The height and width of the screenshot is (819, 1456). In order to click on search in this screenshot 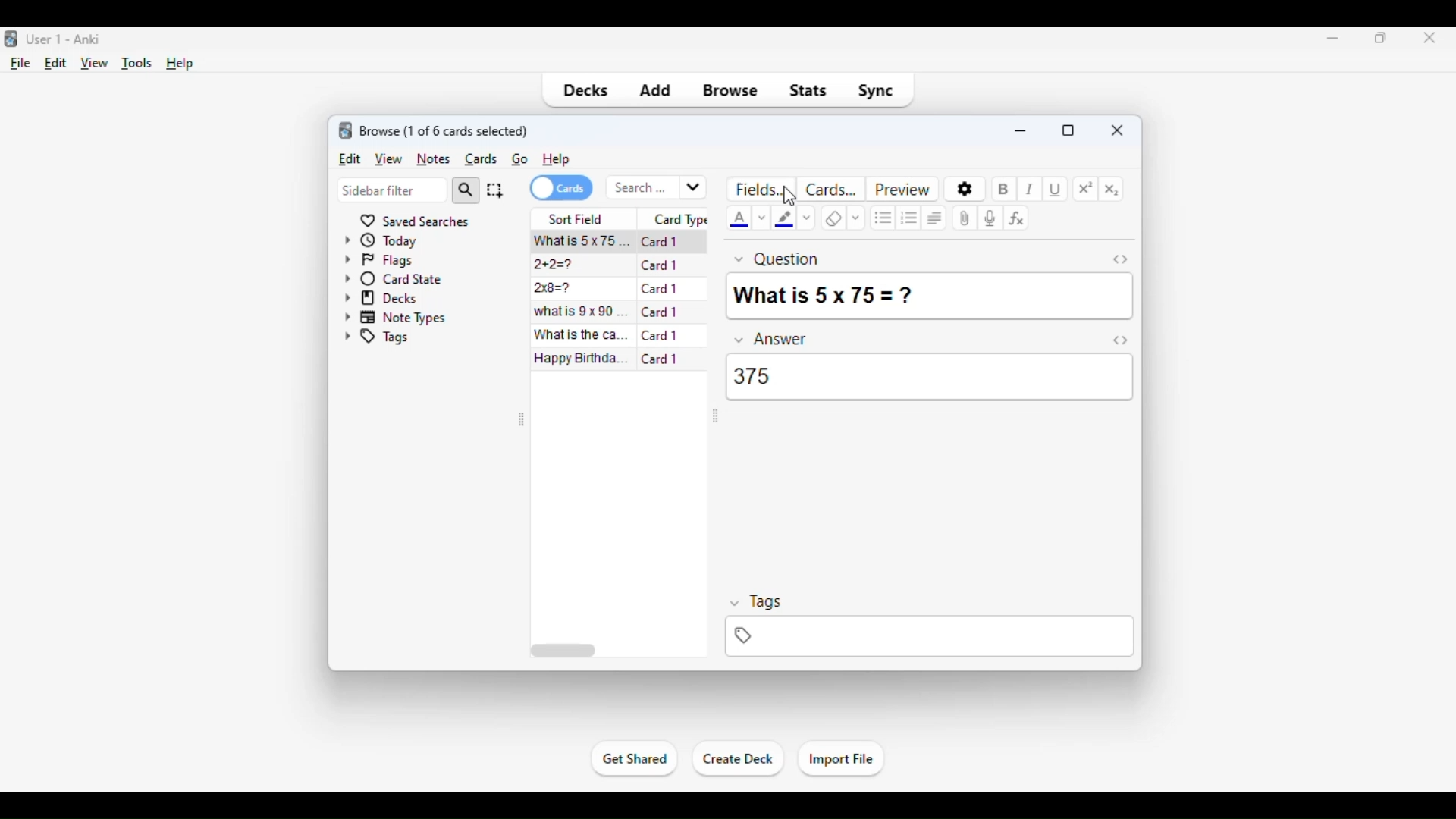, I will do `click(465, 190)`.